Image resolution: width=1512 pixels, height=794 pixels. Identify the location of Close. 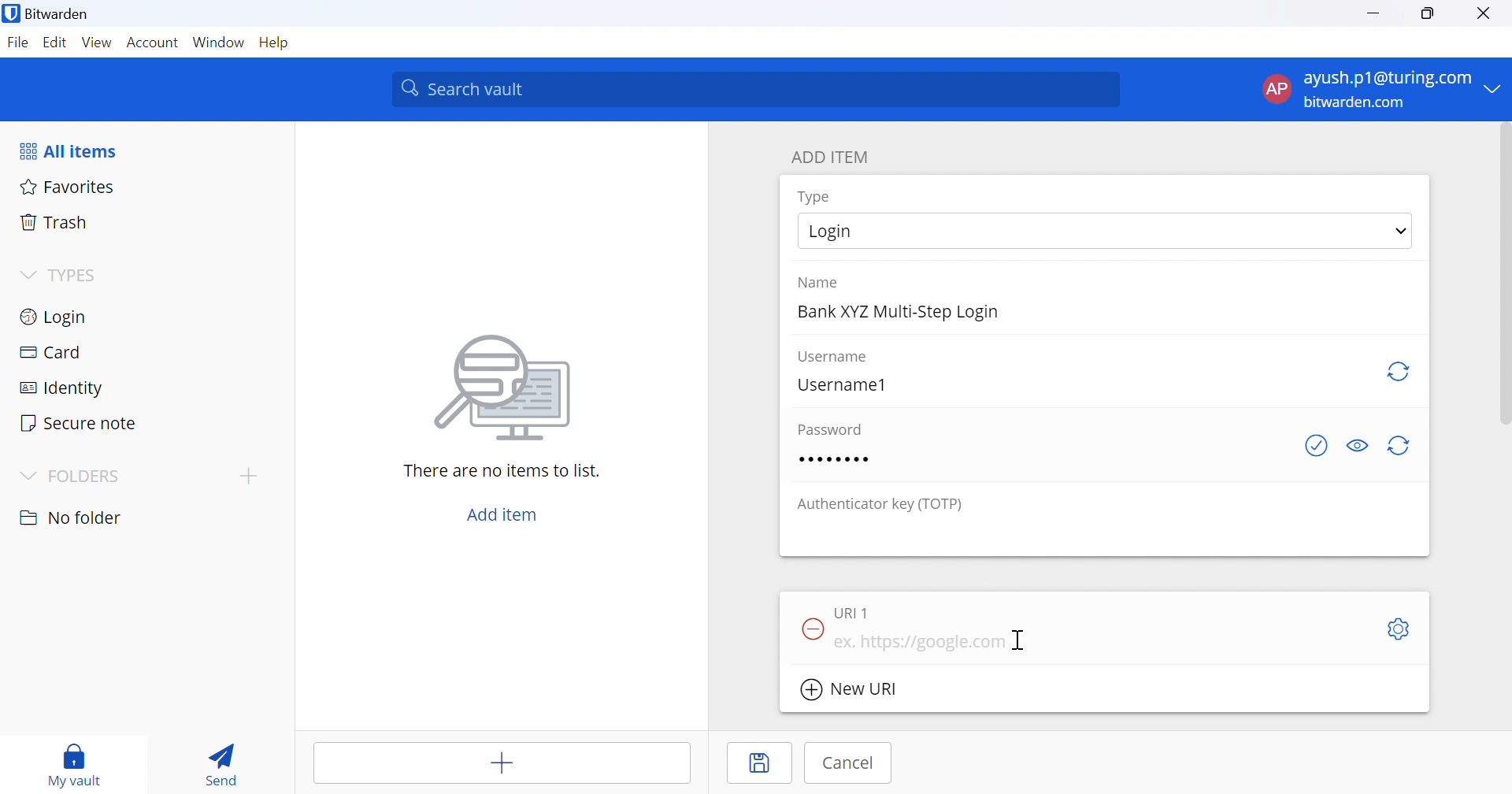
(1486, 15).